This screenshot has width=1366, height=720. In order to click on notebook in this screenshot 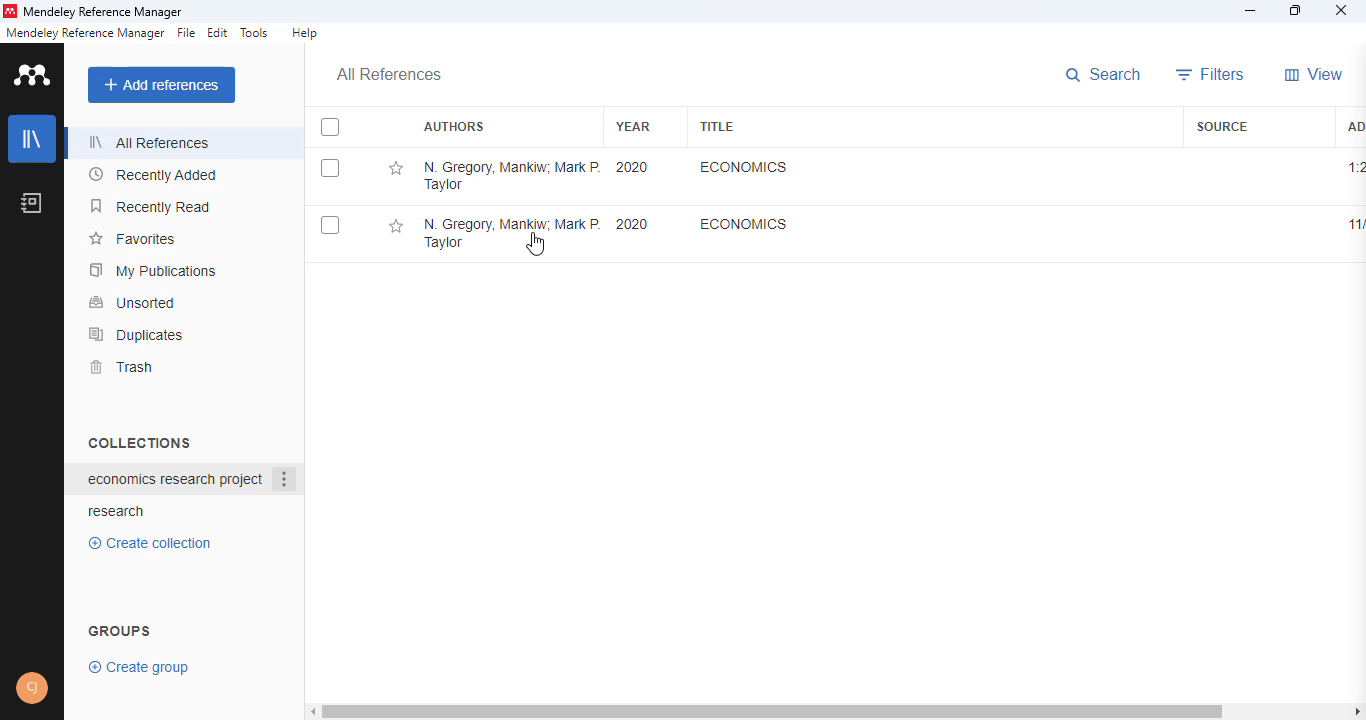, I will do `click(32, 202)`.